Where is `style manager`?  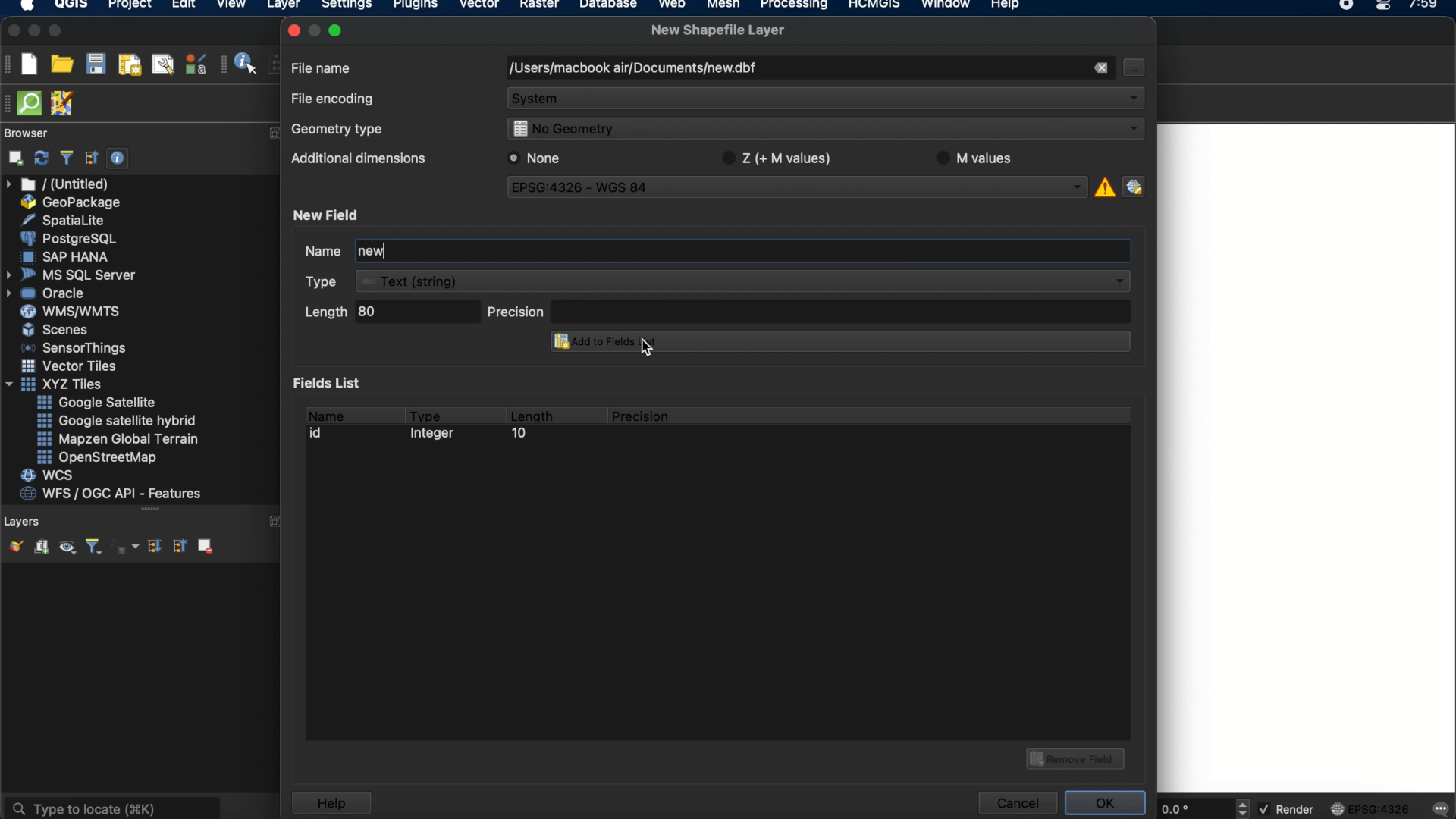
style manager is located at coordinates (196, 64).